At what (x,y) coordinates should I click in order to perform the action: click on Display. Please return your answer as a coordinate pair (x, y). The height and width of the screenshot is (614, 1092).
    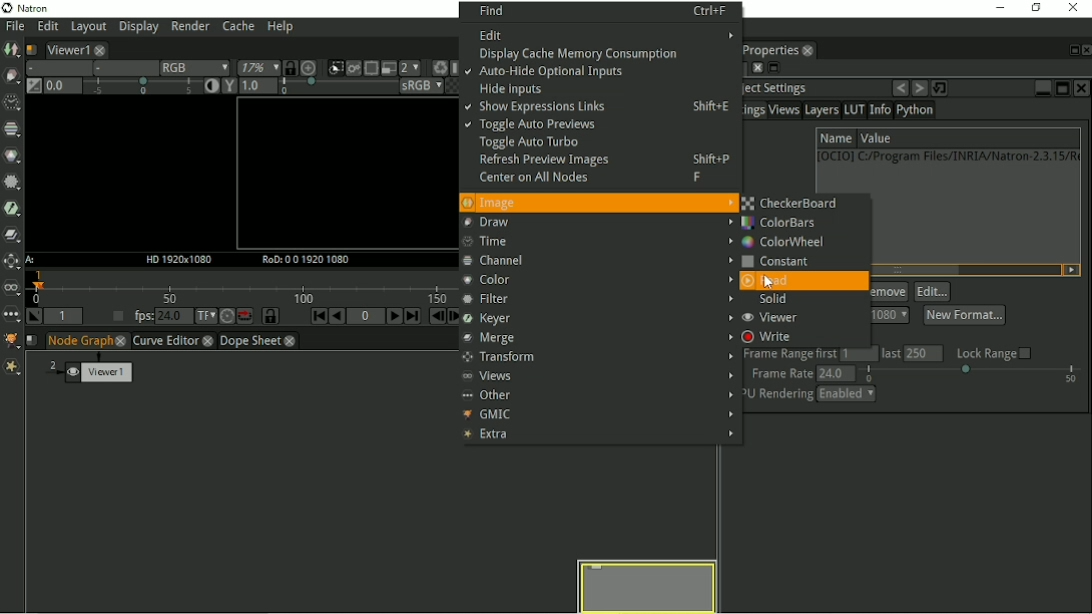
    Looking at the image, I should click on (139, 28).